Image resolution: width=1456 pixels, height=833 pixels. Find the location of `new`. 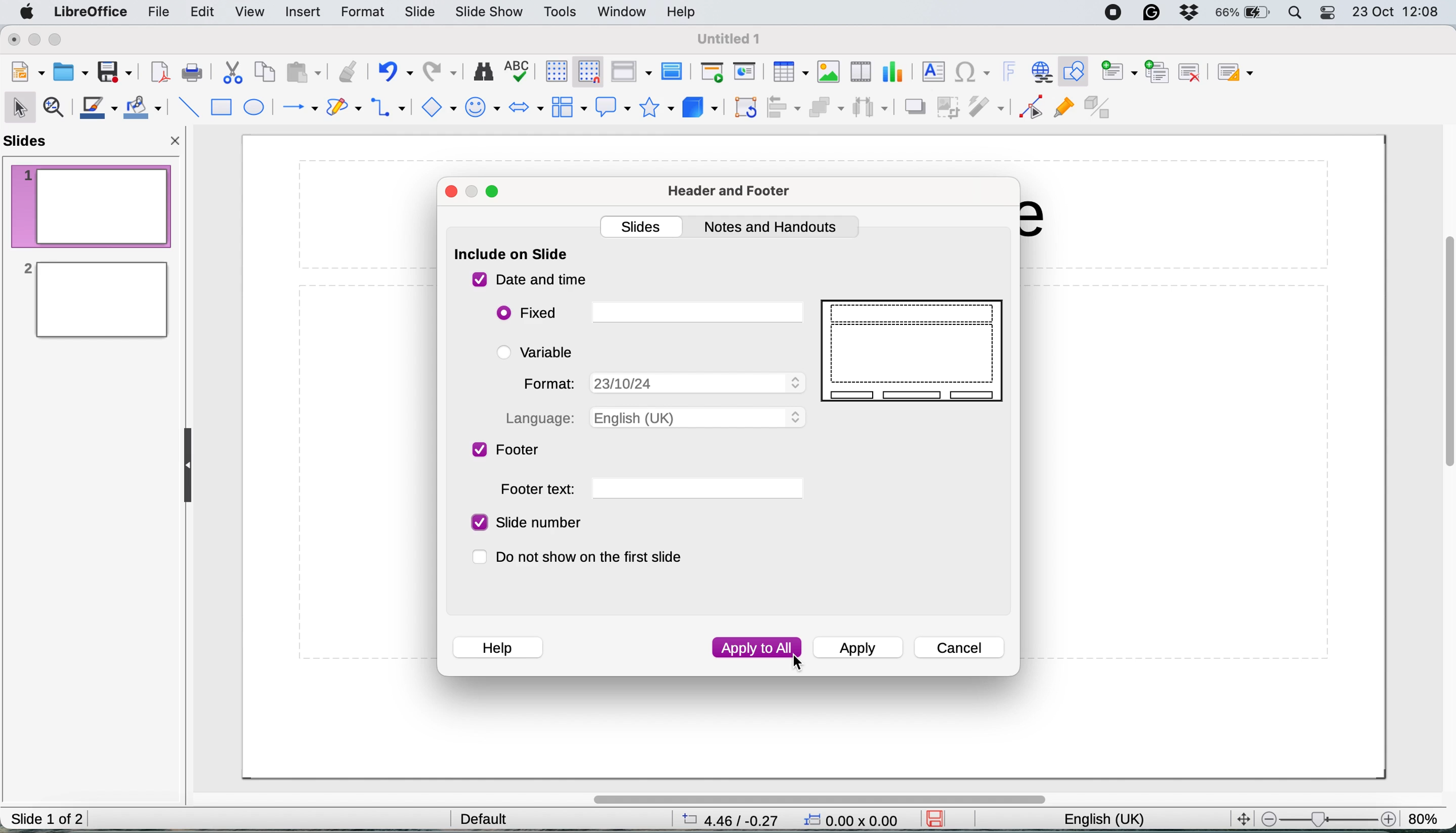

new is located at coordinates (29, 73).